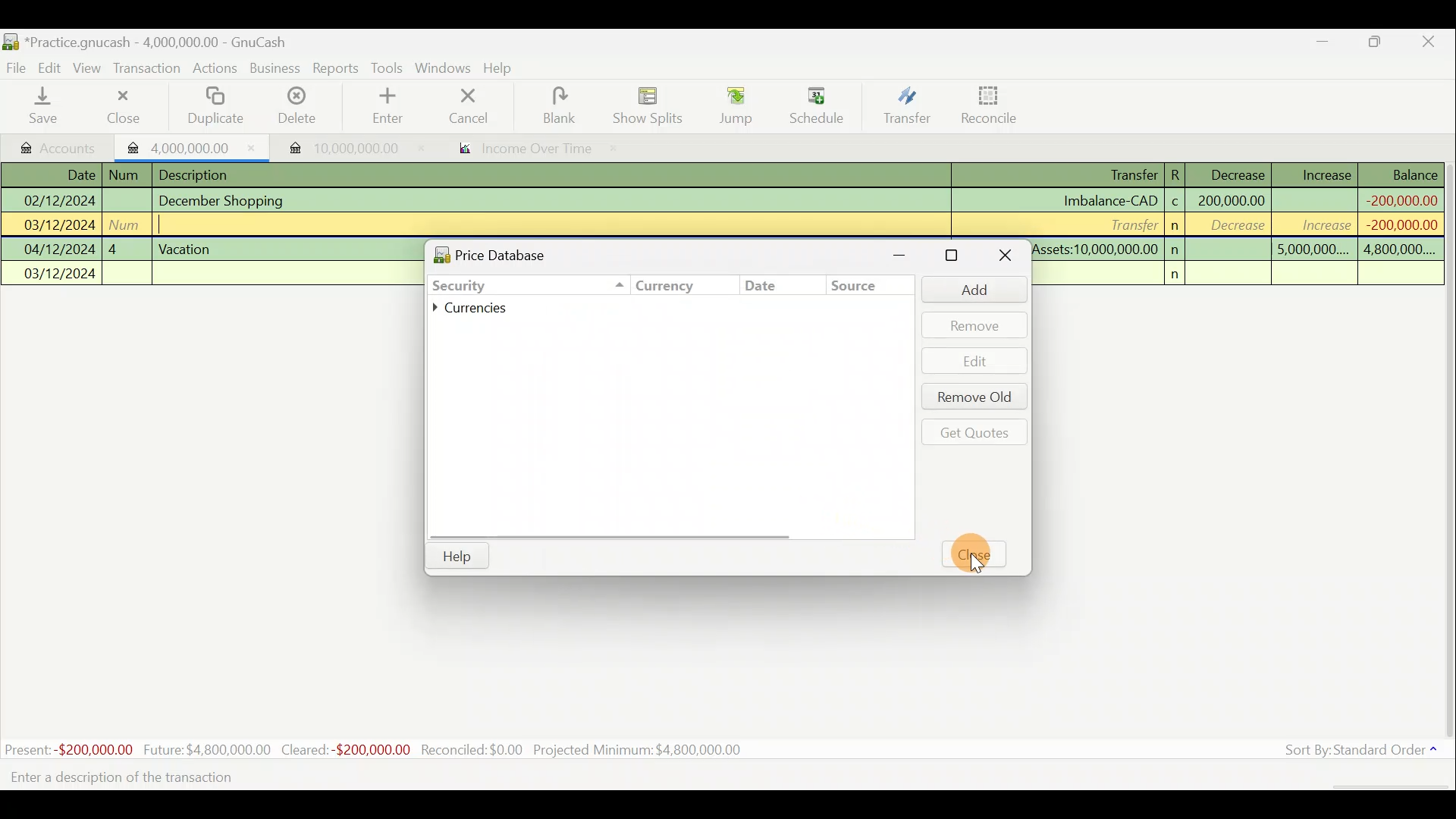 Image resolution: width=1456 pixels, height=819 pixels. I want to click on R, so click(1180, 174).